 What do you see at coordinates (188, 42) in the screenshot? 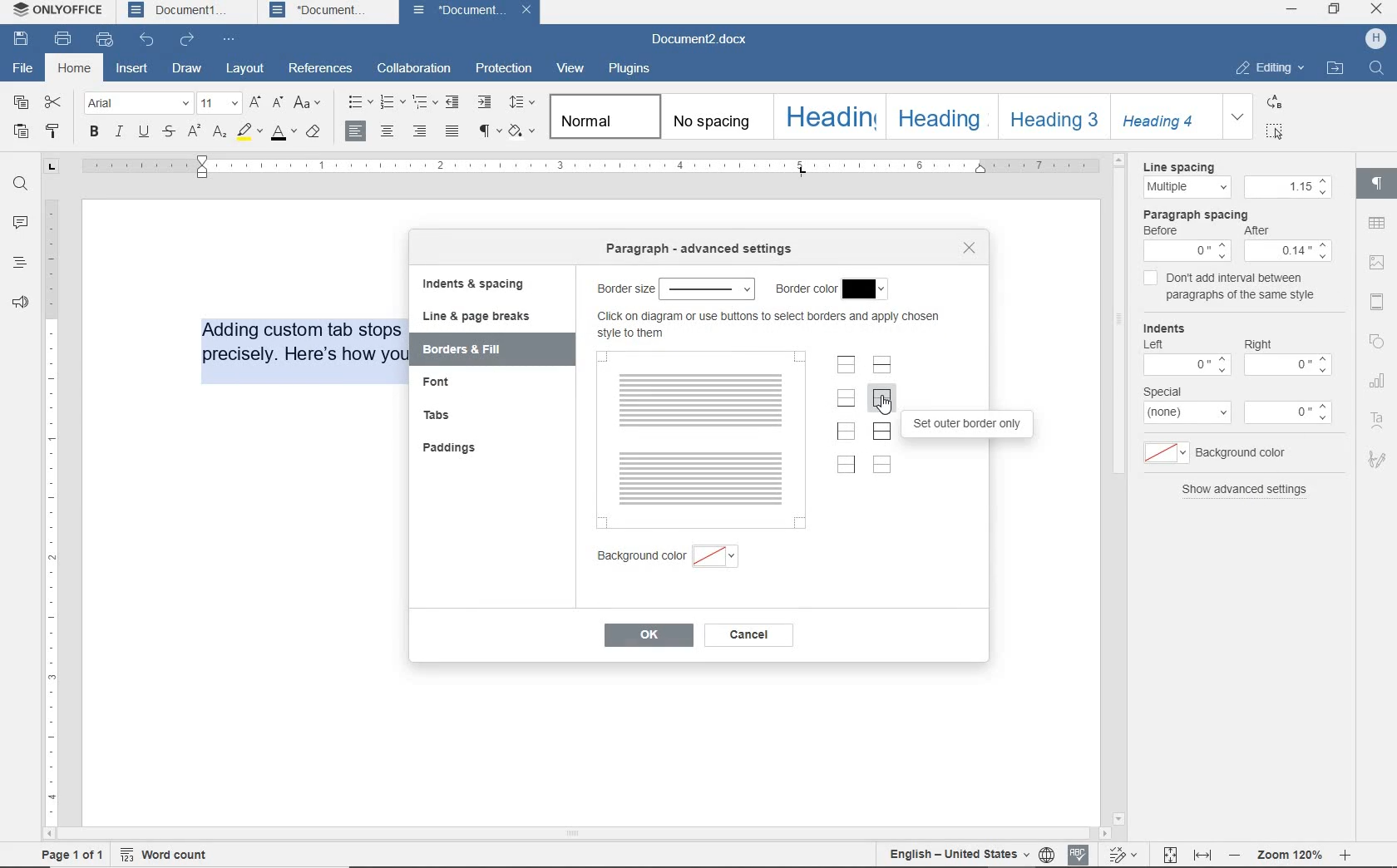
I see `redo` at bounding box center [188, 42].